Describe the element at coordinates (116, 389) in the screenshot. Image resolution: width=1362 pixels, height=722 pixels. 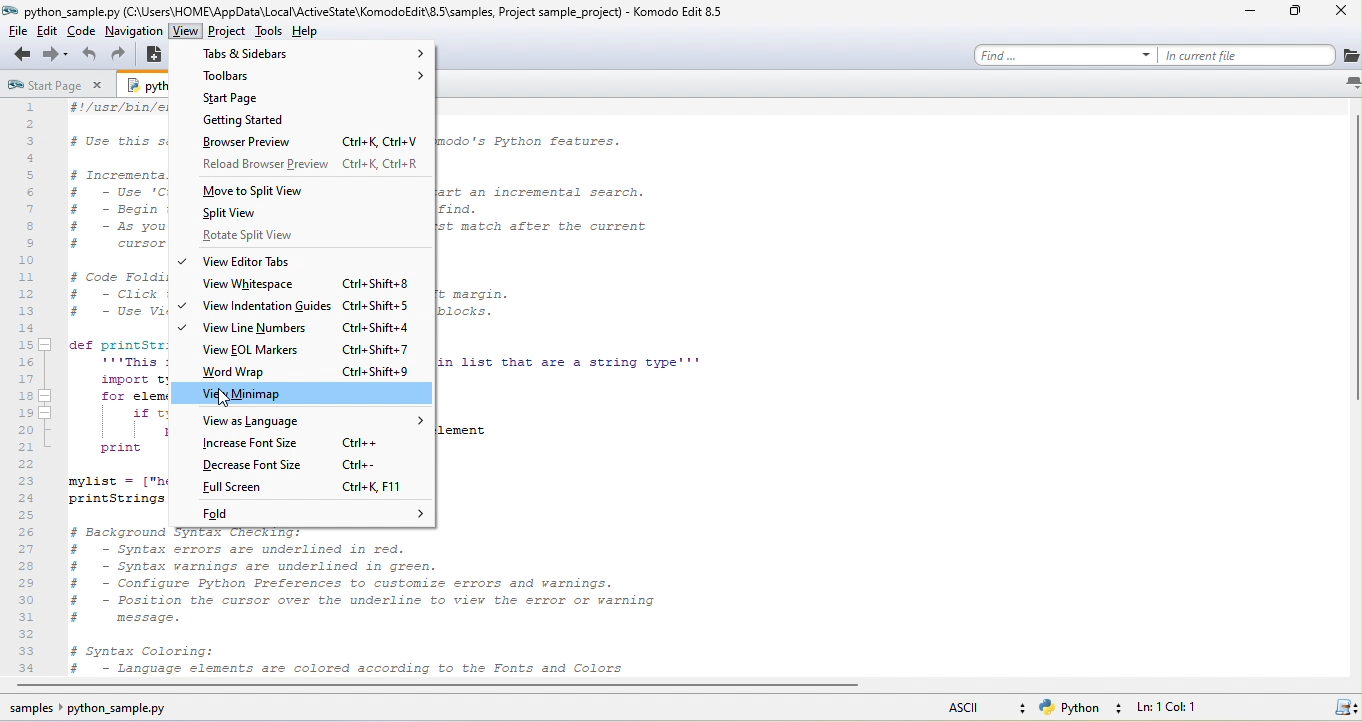
I see `python code` at that location.